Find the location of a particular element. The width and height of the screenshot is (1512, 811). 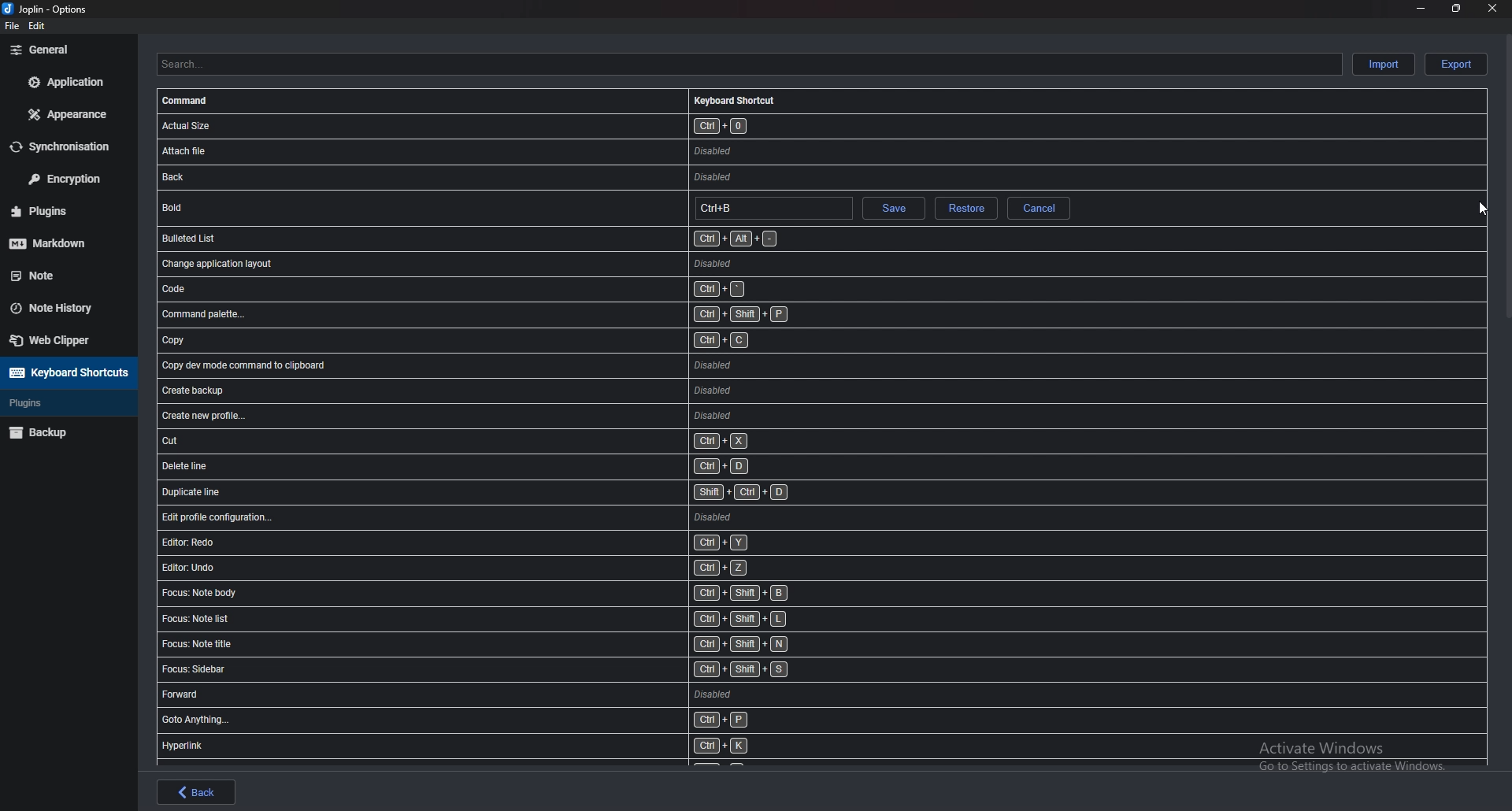

Keyboard shortcuts is located at coordinates (68, 373).